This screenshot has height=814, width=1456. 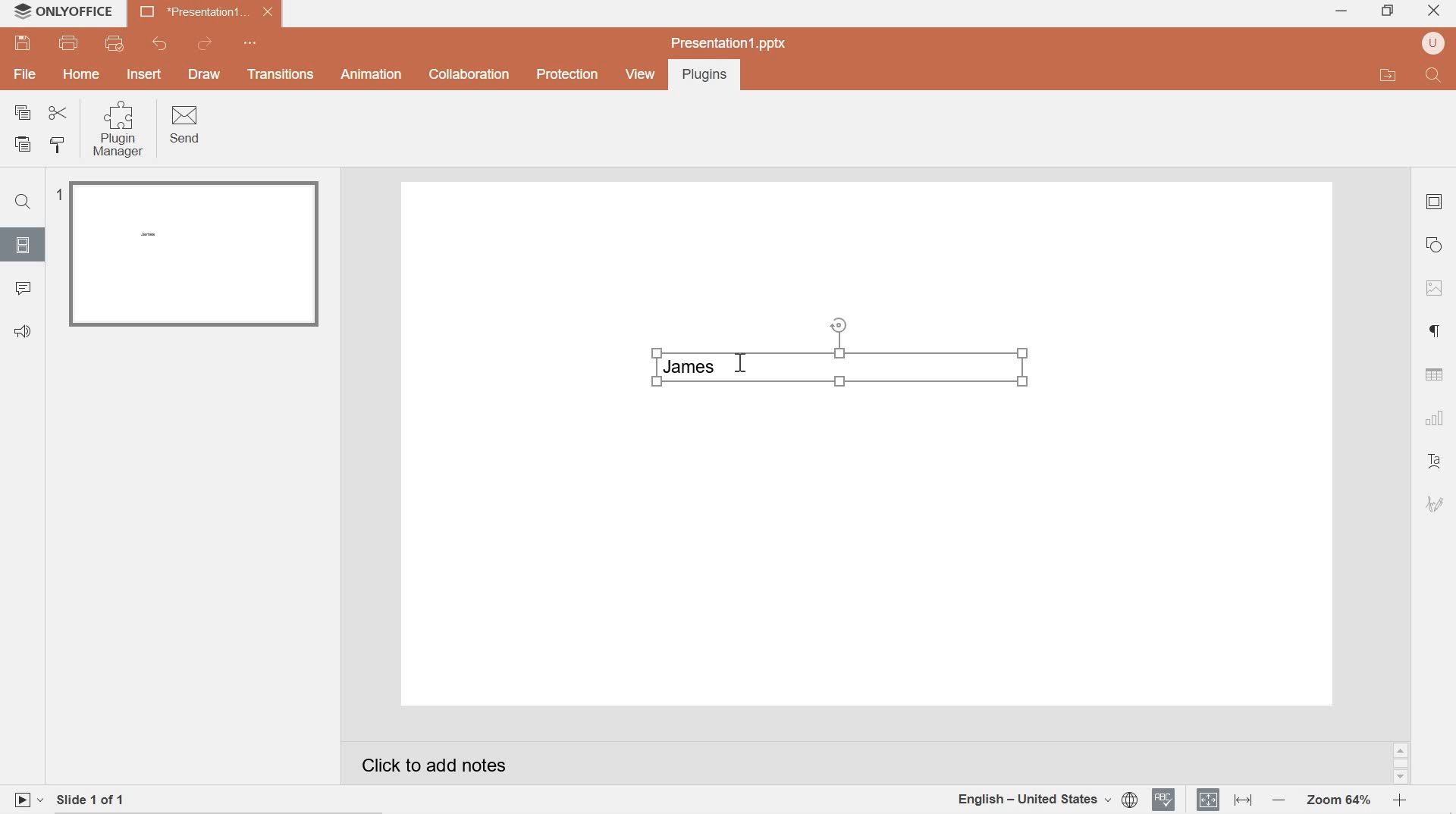 What do you see at coordinates (187, 126) in the screenshot?
I see `Send` at bounding box center [187, 126].